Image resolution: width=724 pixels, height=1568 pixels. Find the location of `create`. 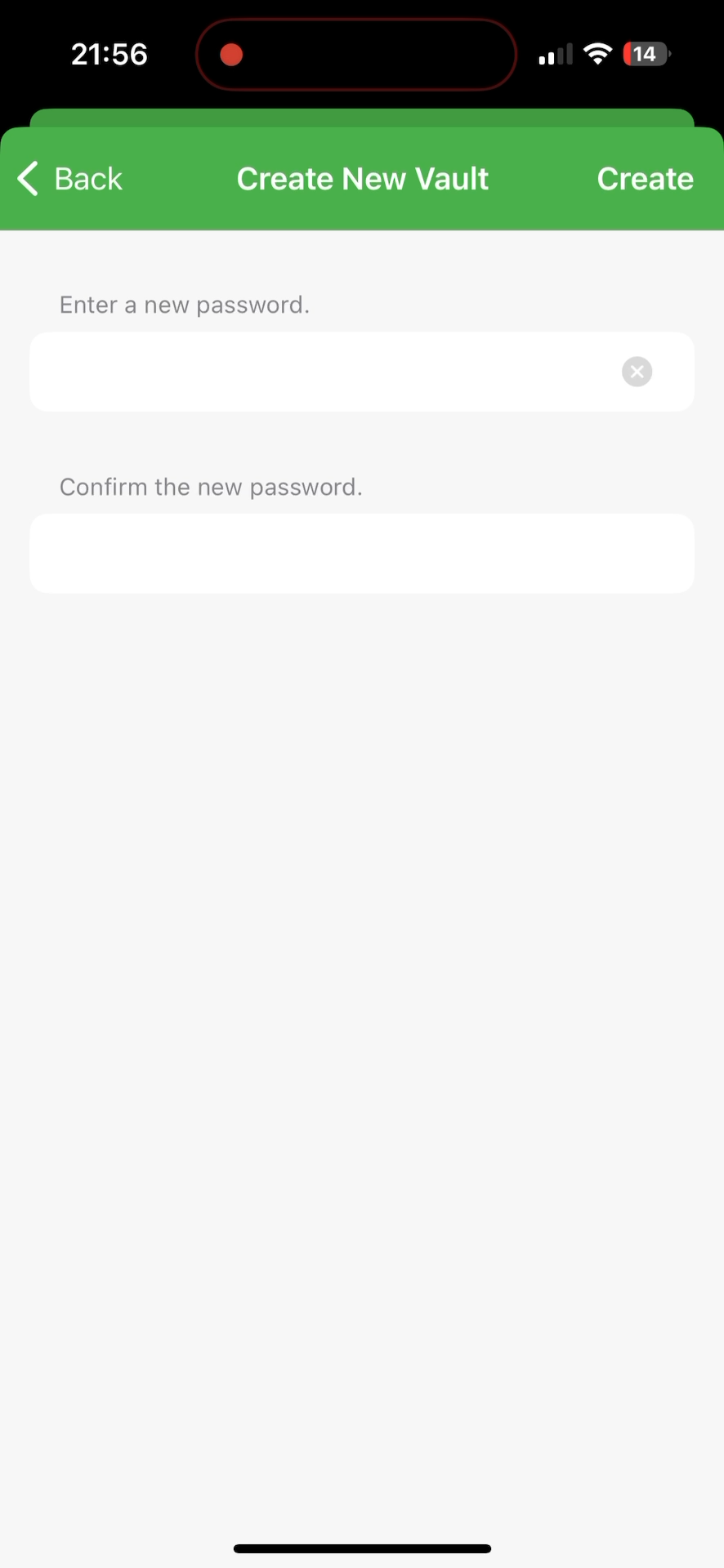

create is located at coordinates (646, 181).